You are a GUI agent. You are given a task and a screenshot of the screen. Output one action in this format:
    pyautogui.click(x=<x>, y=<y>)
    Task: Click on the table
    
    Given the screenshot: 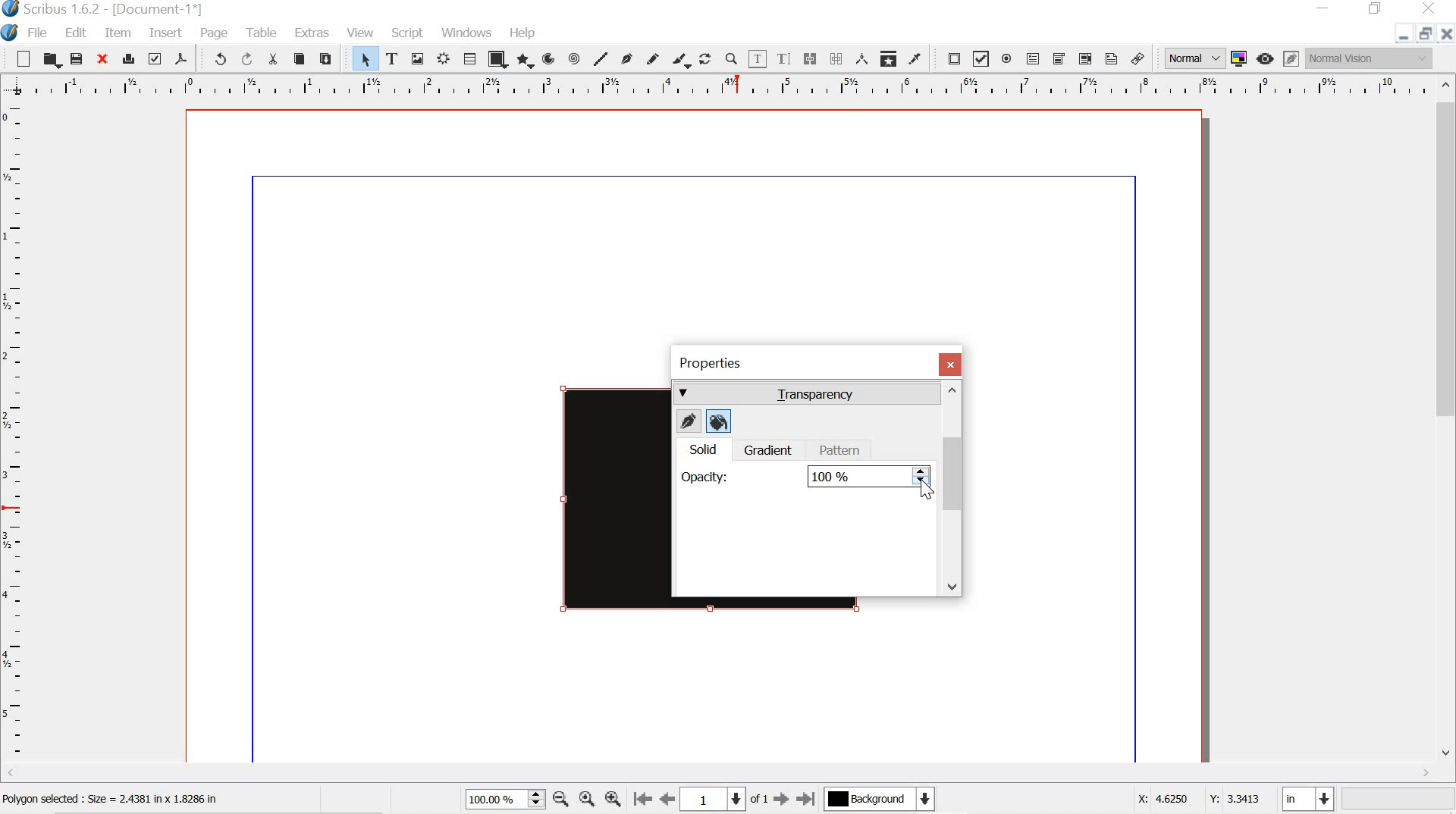 What is the action you would take?
    pyautogui.click(x=469, y=58)
    